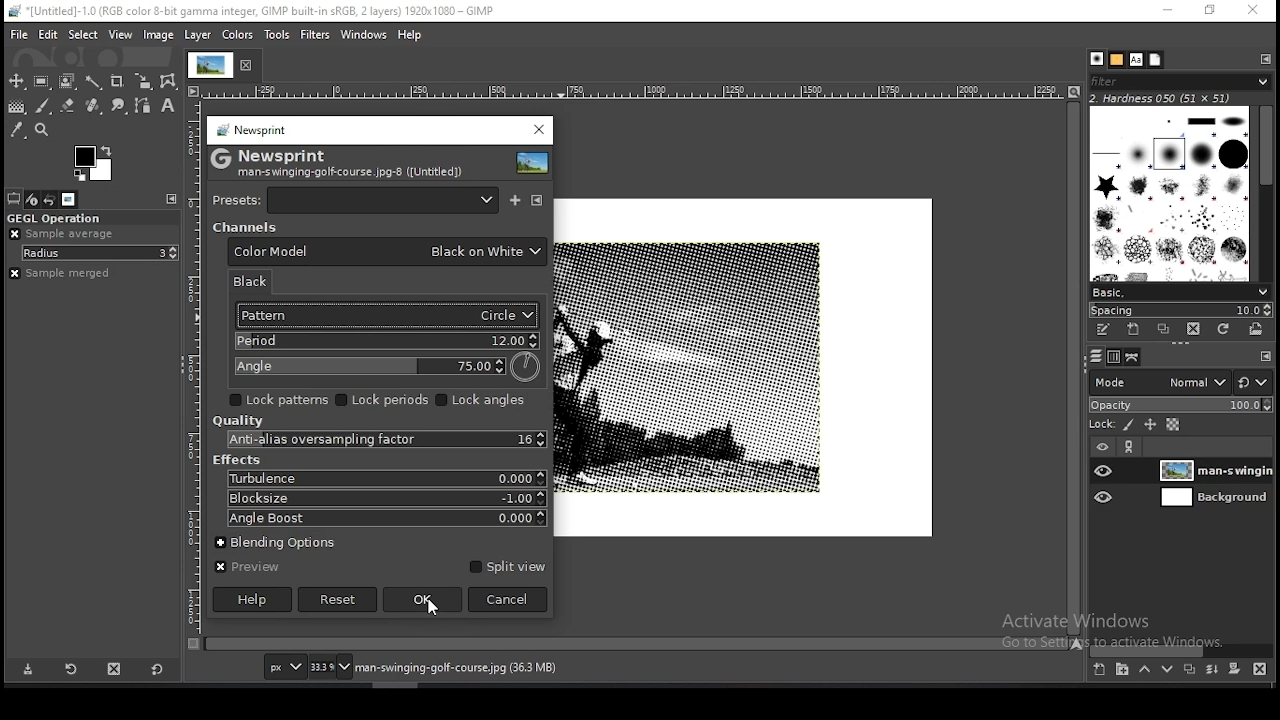 The height and width of the screenshot is (720, 1280). I want to click on layer, so click(1212, 498).